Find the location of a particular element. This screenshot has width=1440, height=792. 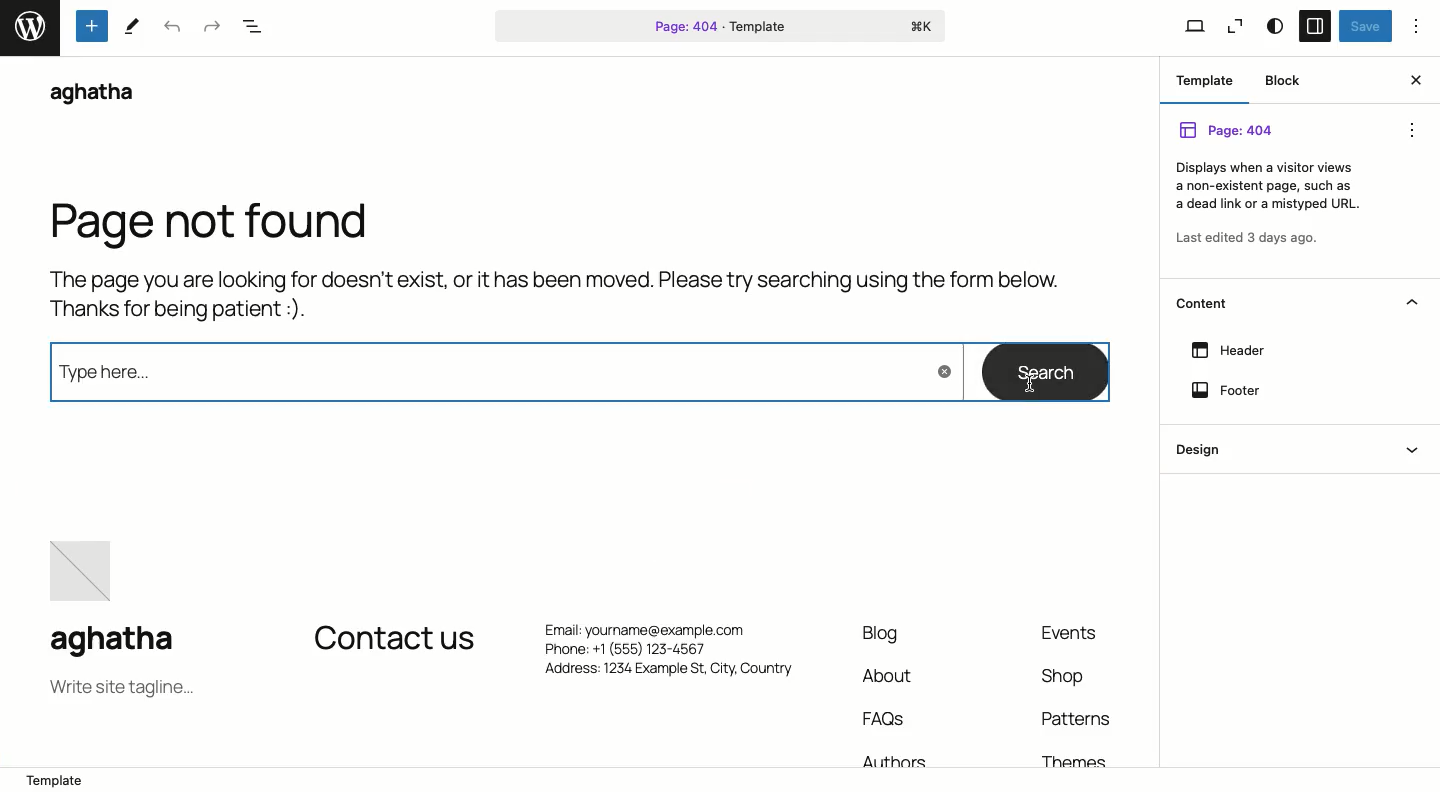

Patterns is located at coordinates (1081, 725).